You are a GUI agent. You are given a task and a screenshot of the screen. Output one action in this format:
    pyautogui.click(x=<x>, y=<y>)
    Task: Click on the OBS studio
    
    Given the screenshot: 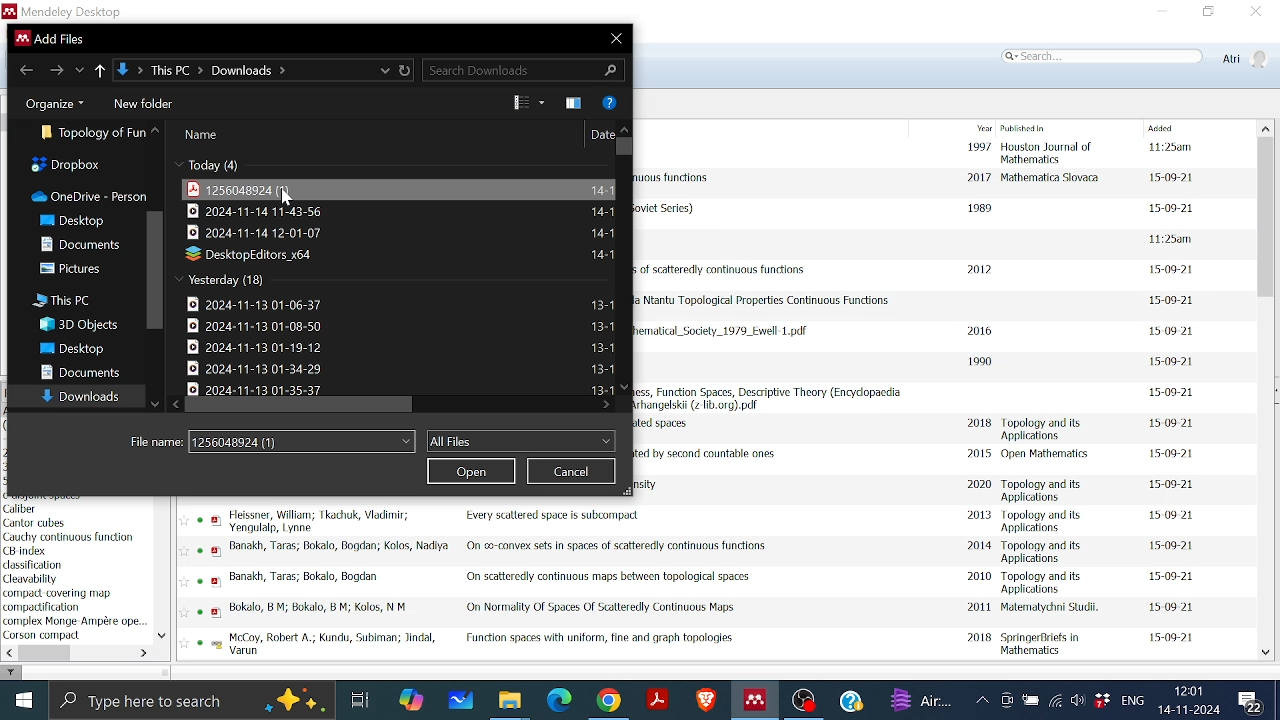 What is the action you would take?
    pyautogui.click(x=806, y=700)
    